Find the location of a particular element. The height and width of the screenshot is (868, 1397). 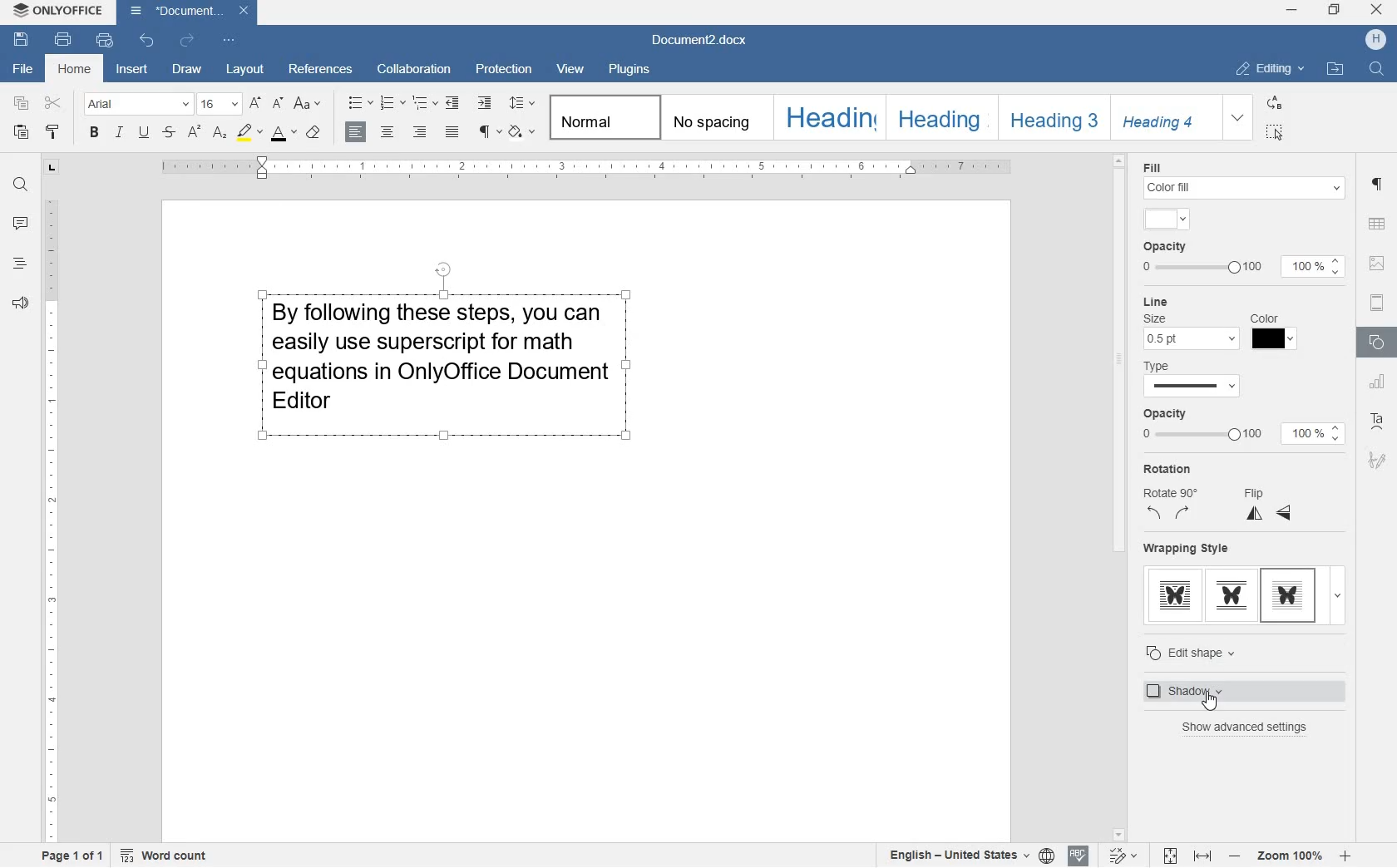

Normal is located at coordinates (602, 117).